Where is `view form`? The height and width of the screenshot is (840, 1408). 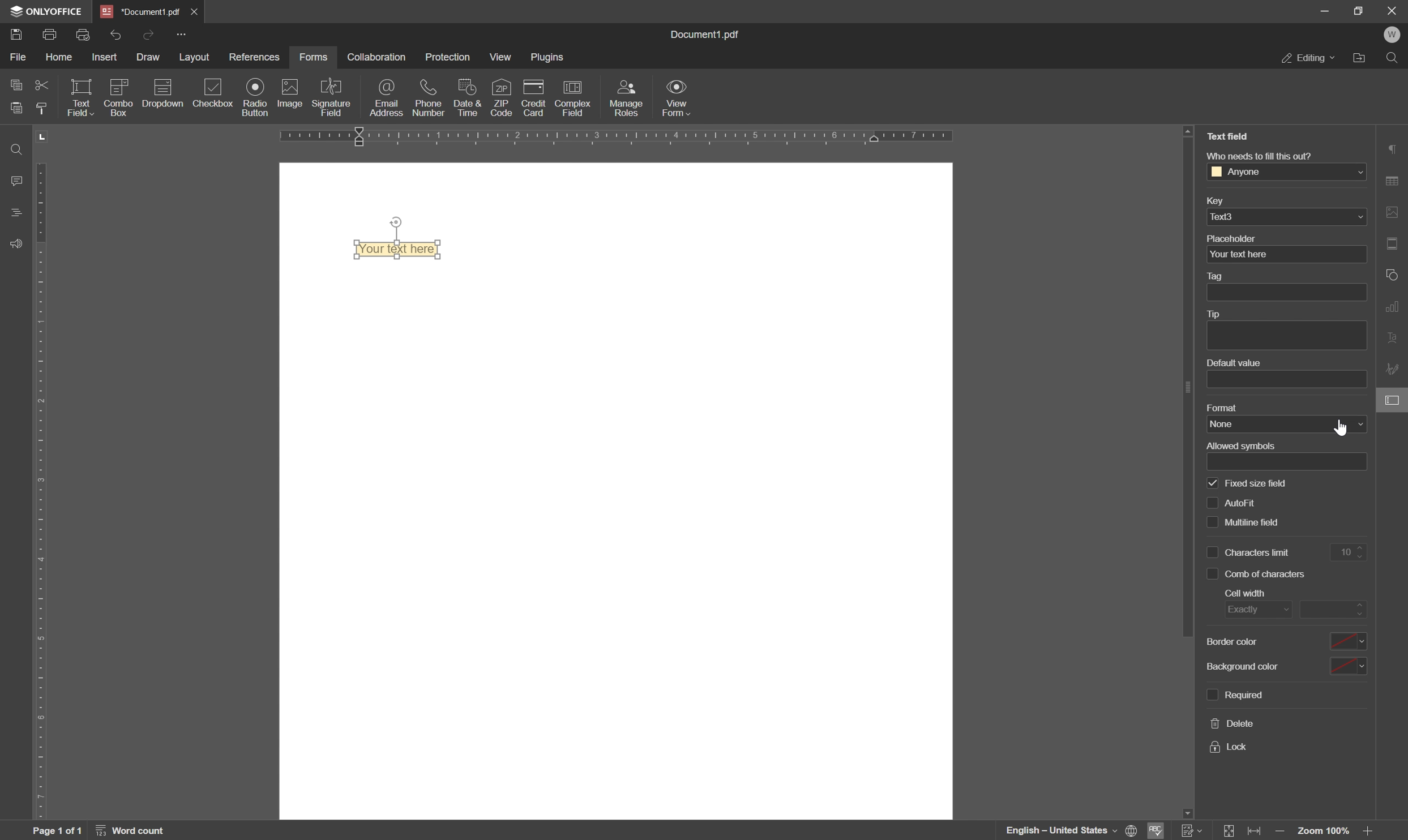
view form is located at coordinates (678, 100).